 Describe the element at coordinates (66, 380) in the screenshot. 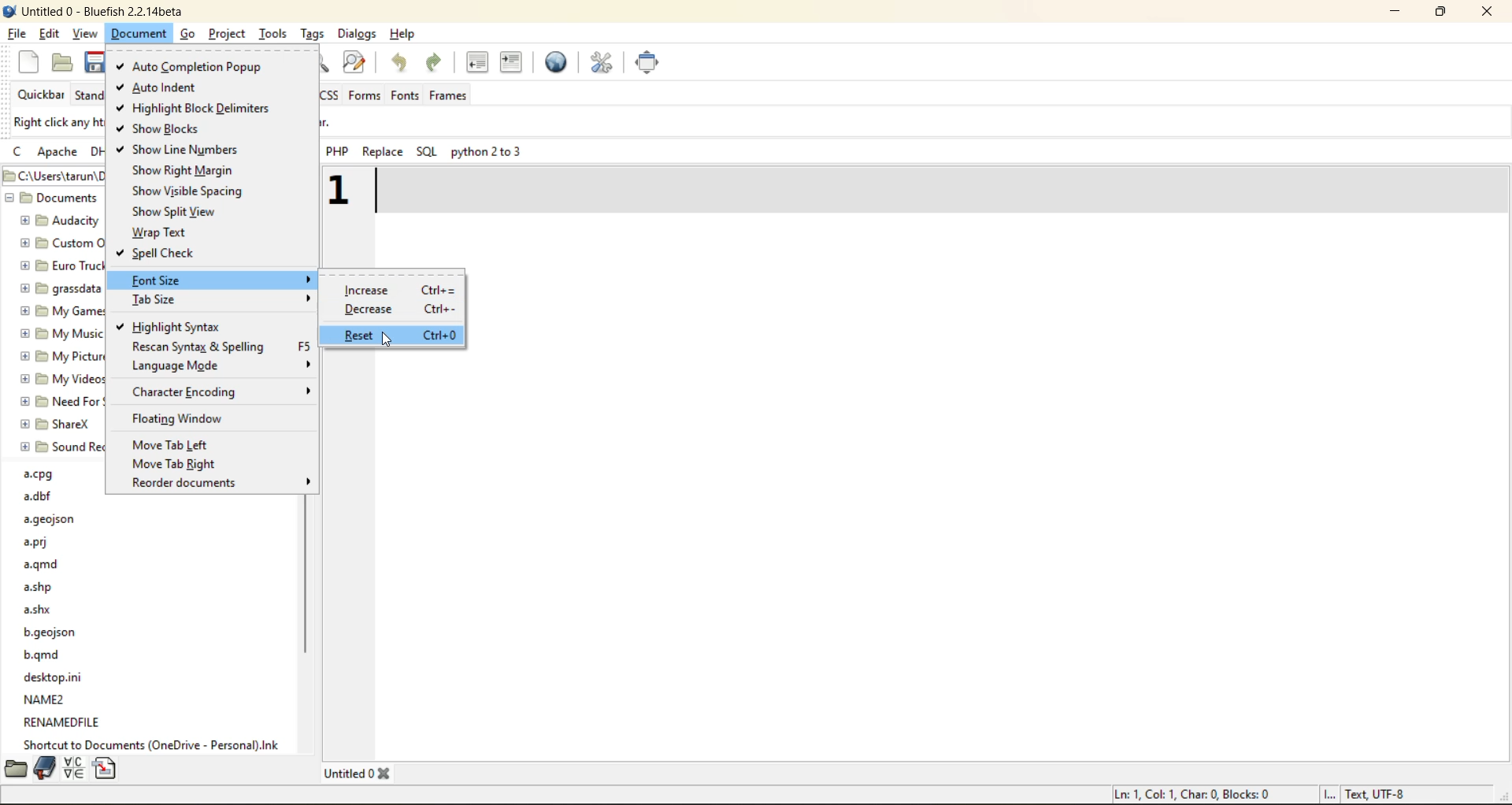

I see `my videos` at that location.